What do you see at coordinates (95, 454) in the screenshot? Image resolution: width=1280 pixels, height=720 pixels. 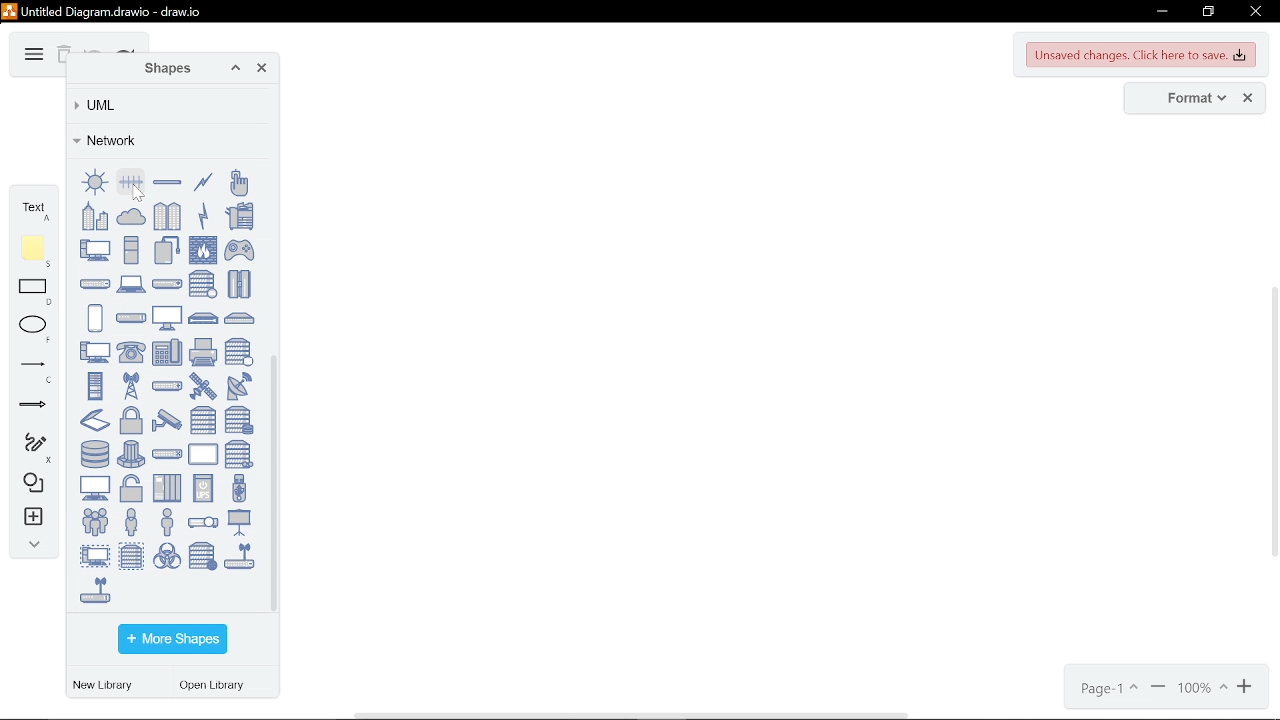 I see `storage` at bounding box center [95, 454].